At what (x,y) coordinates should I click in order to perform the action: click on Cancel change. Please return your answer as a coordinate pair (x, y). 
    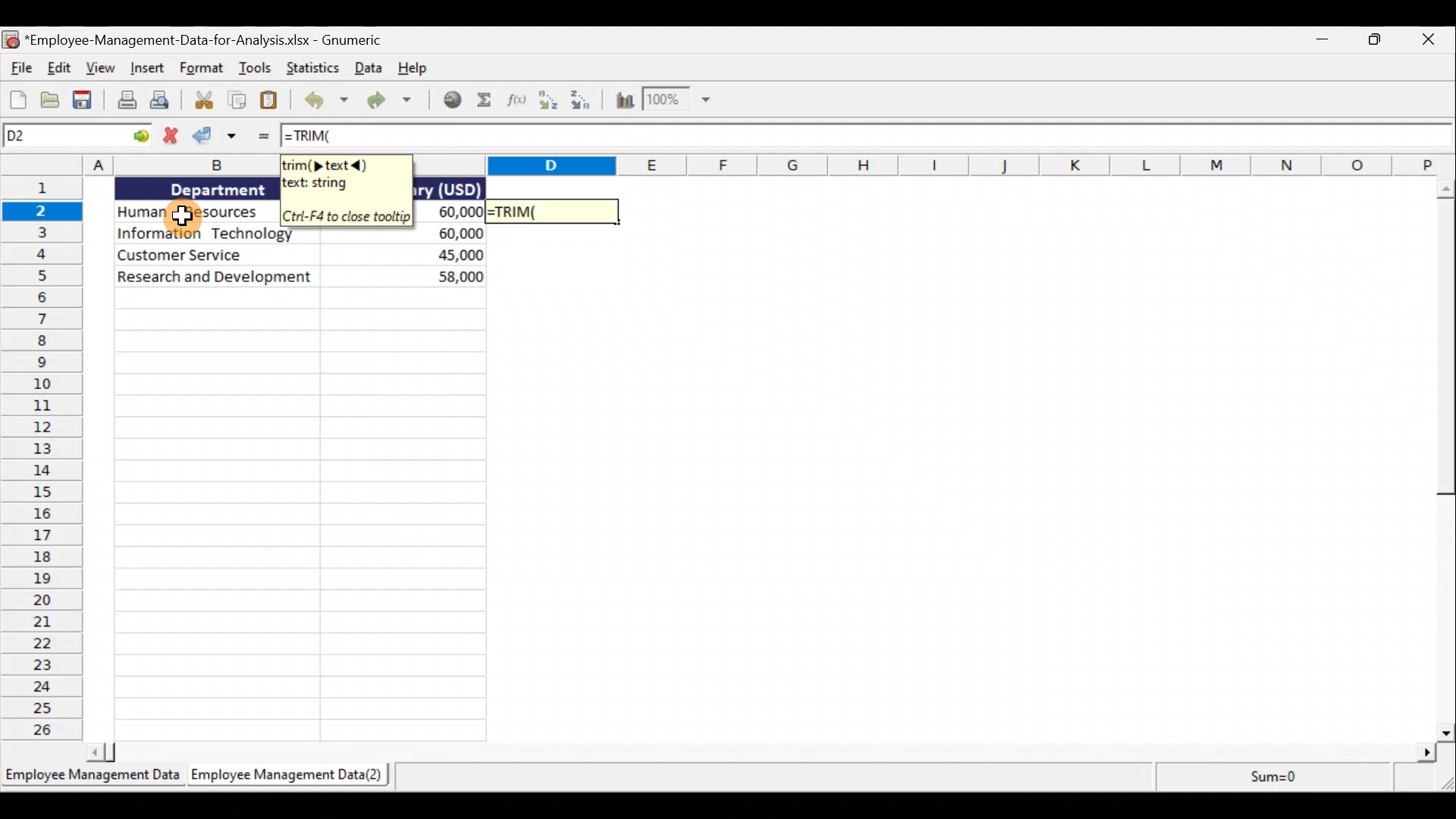
    Looking at the image, I should click on (175, 135).